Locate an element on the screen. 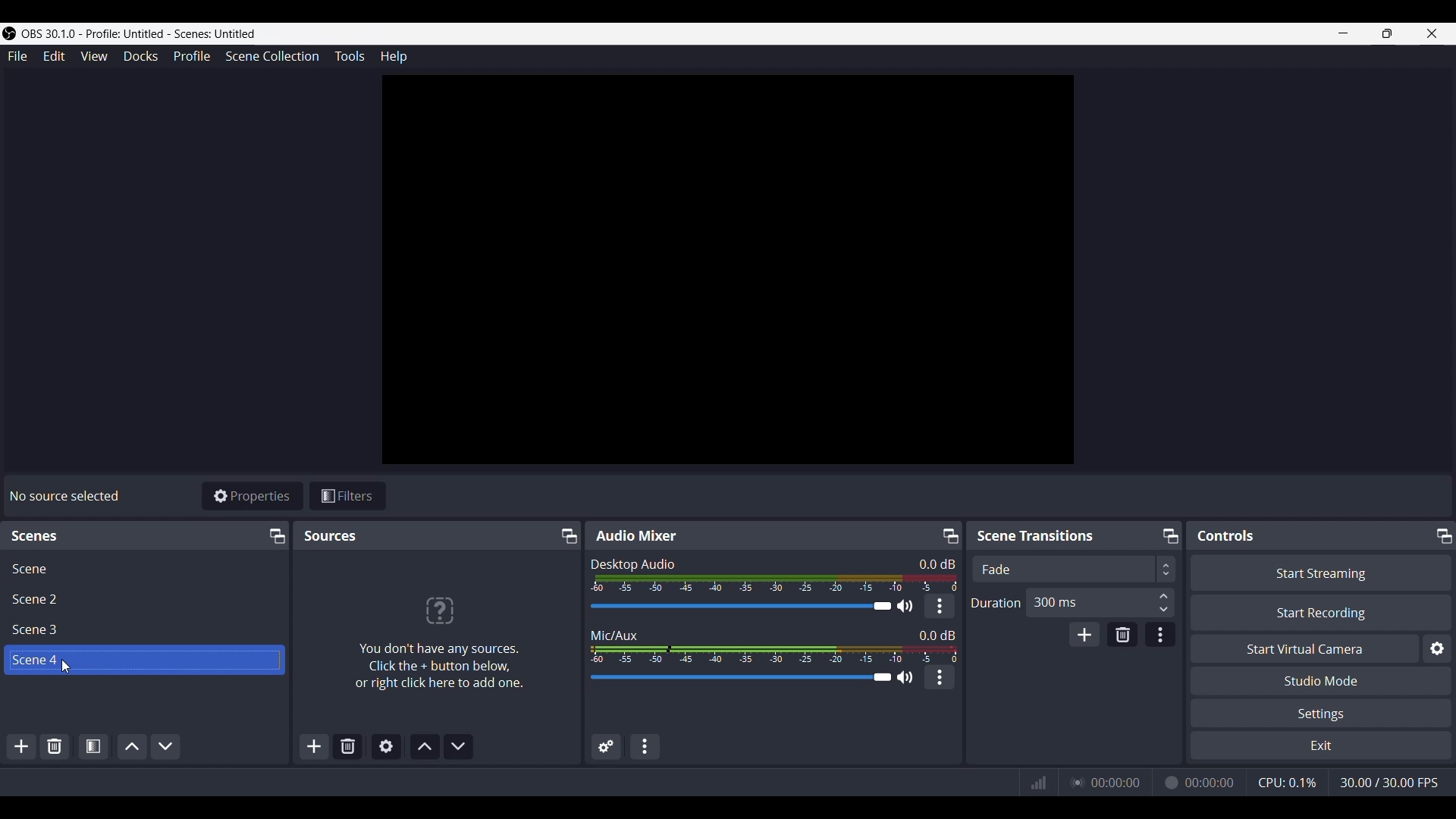  Remove selected scene is located at coordinates (55, 746).